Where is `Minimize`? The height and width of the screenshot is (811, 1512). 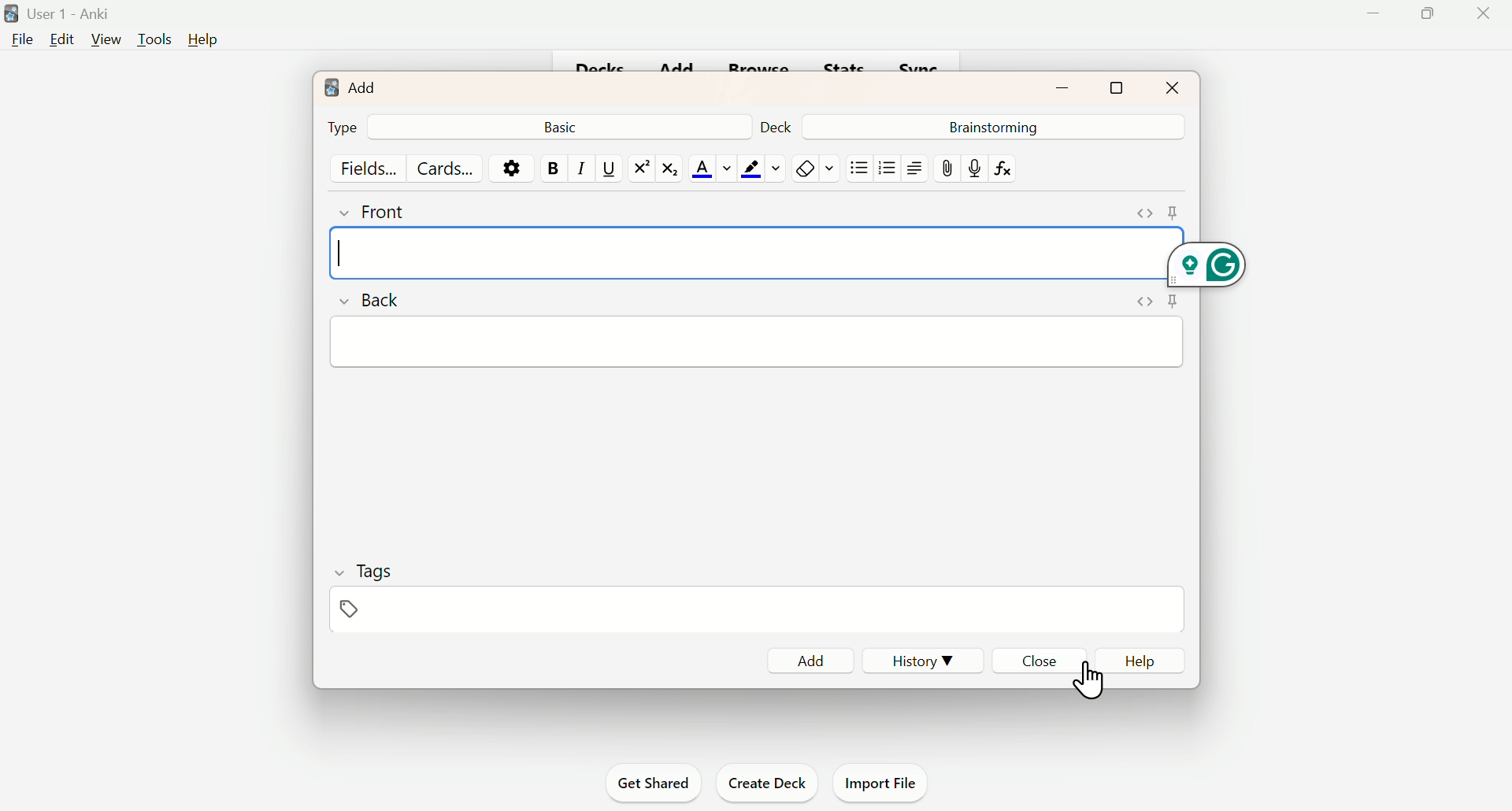
Minimize is located at coordinates (1065, 86).